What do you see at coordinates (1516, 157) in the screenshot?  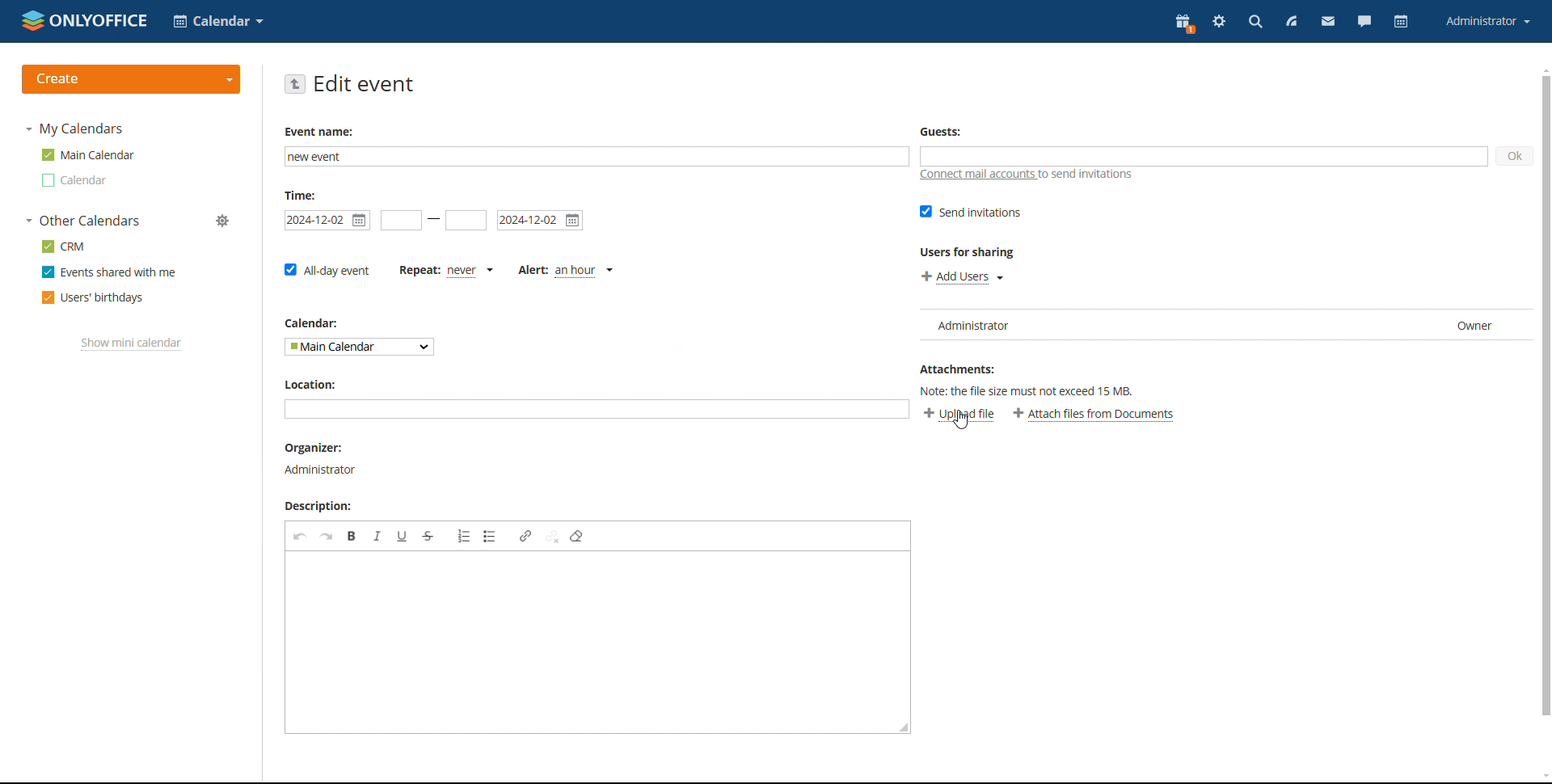 I see `ok` at bounding box center [1516, 157].